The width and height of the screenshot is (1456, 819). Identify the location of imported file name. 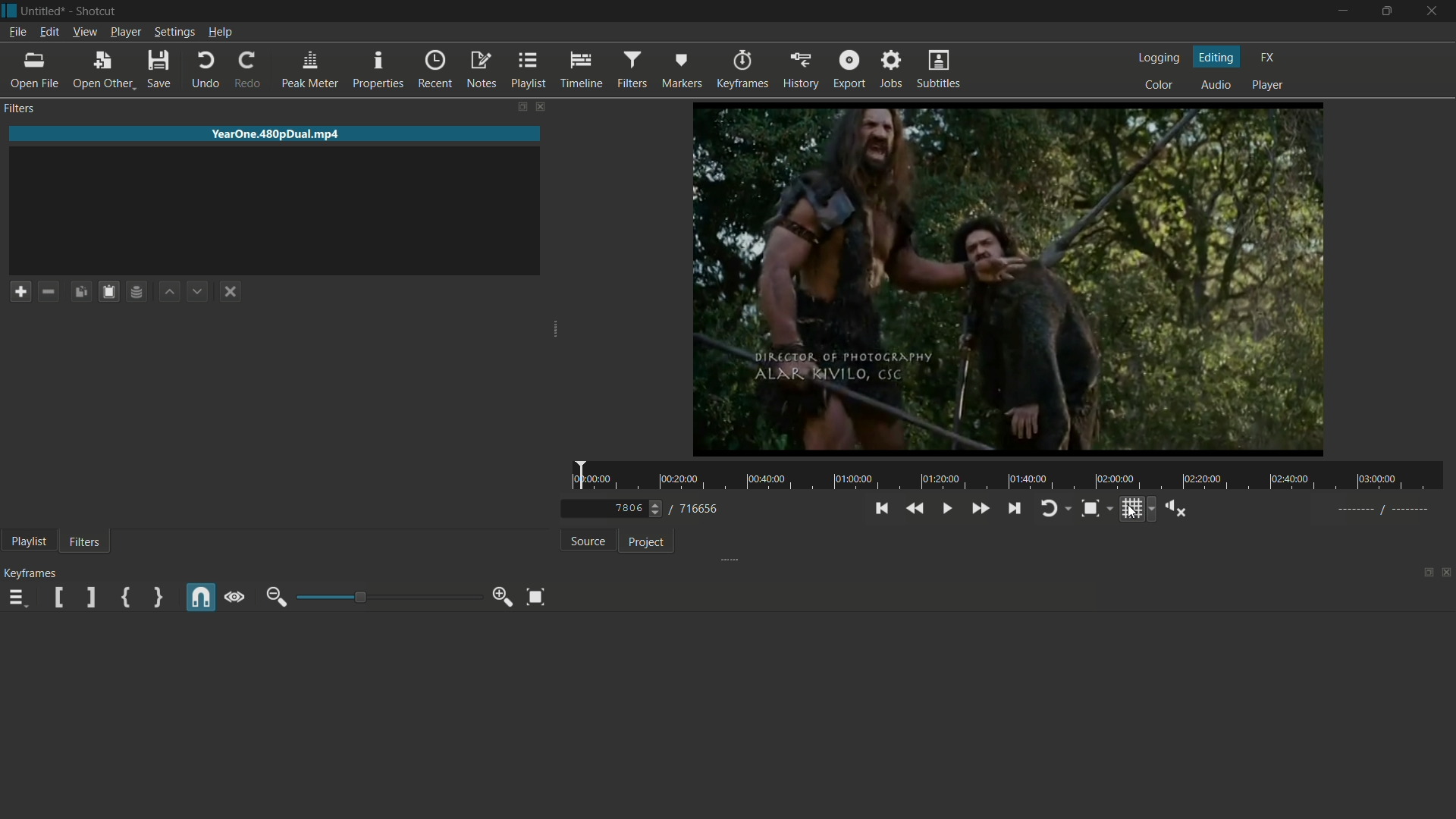
(277, 134).